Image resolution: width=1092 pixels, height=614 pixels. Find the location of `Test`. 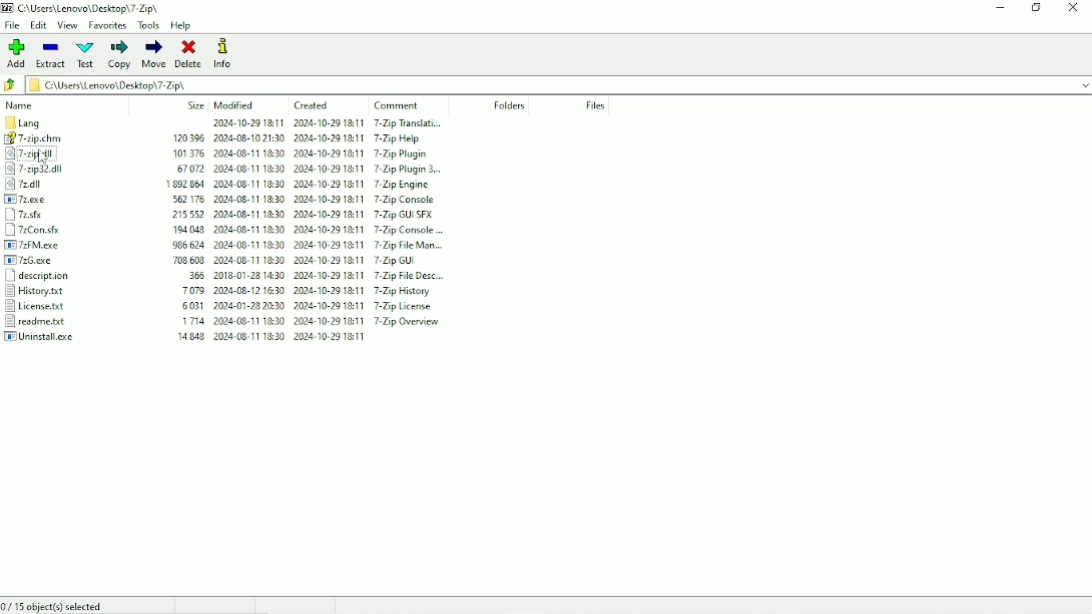

Test is located at coordinates (86, 54).